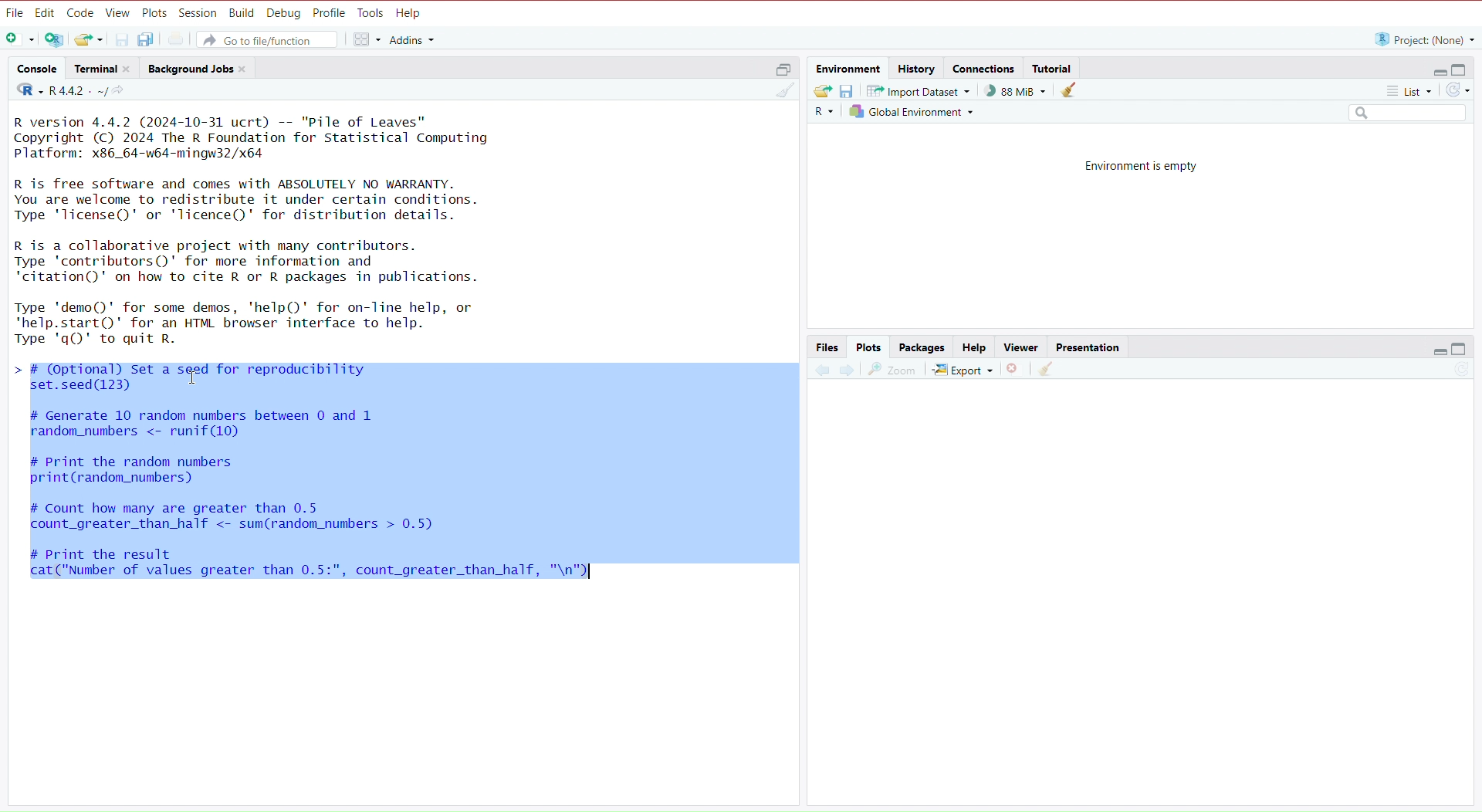 The width and height of the screenshot is (1482, 812). I want to click on “R project: (None) ~, so click(1425, 37).